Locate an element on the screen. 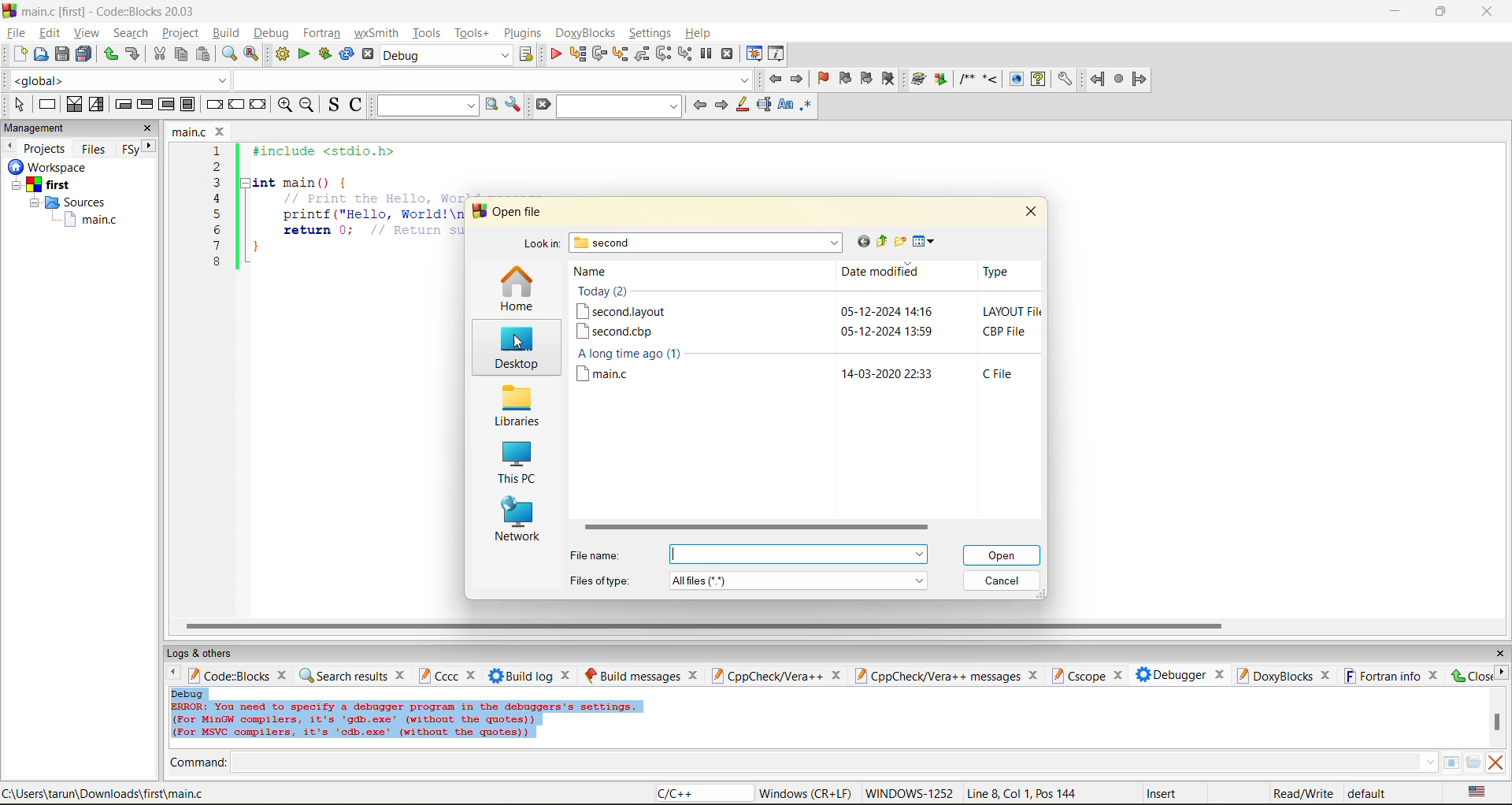  go to last is located at coordinates (861, 241).